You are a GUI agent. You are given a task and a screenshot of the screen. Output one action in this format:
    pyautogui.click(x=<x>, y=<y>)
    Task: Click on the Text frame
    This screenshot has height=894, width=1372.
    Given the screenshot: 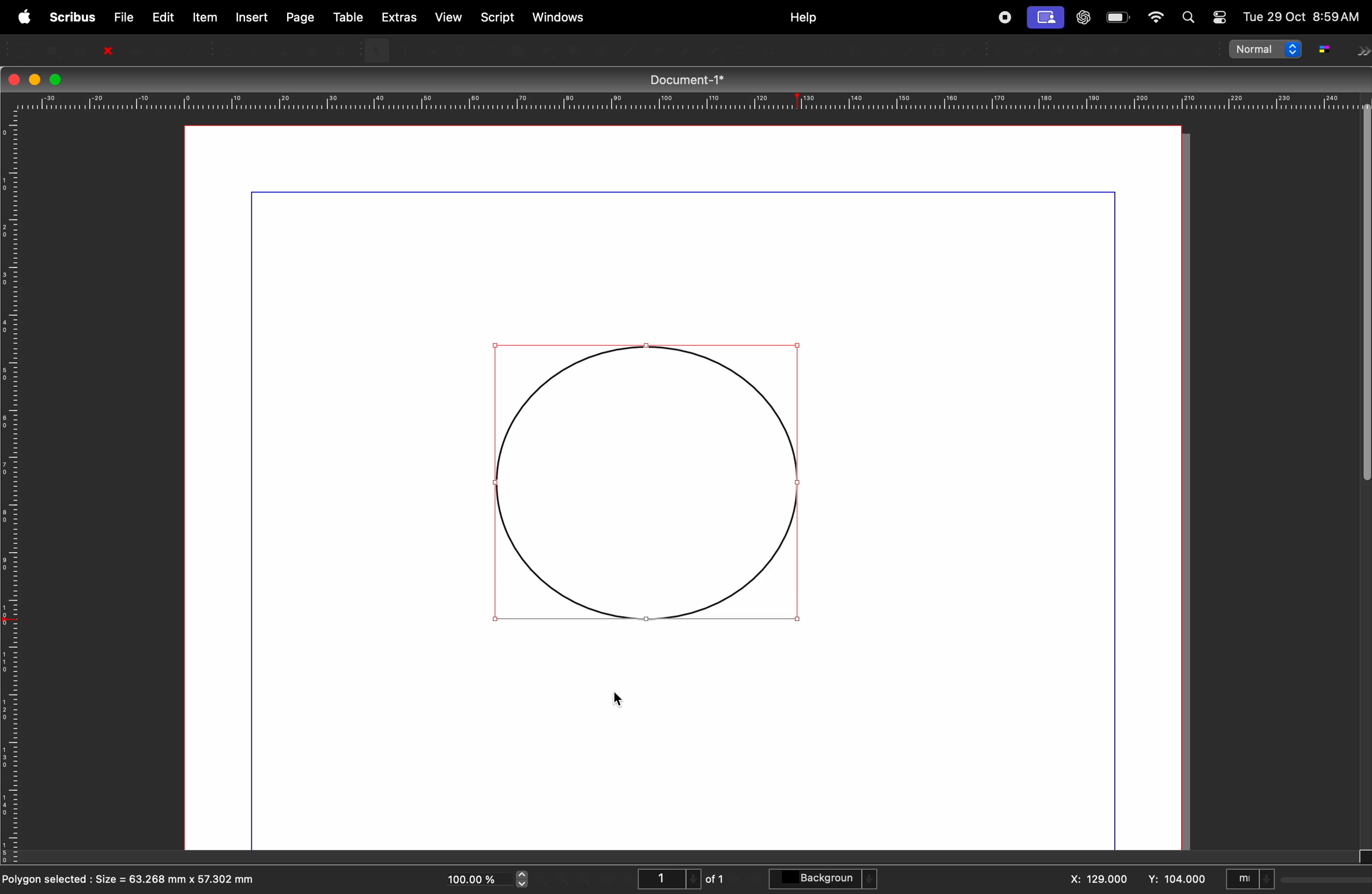 What is the action you would take?
    pyautogui.click(x=404, y=48)
    